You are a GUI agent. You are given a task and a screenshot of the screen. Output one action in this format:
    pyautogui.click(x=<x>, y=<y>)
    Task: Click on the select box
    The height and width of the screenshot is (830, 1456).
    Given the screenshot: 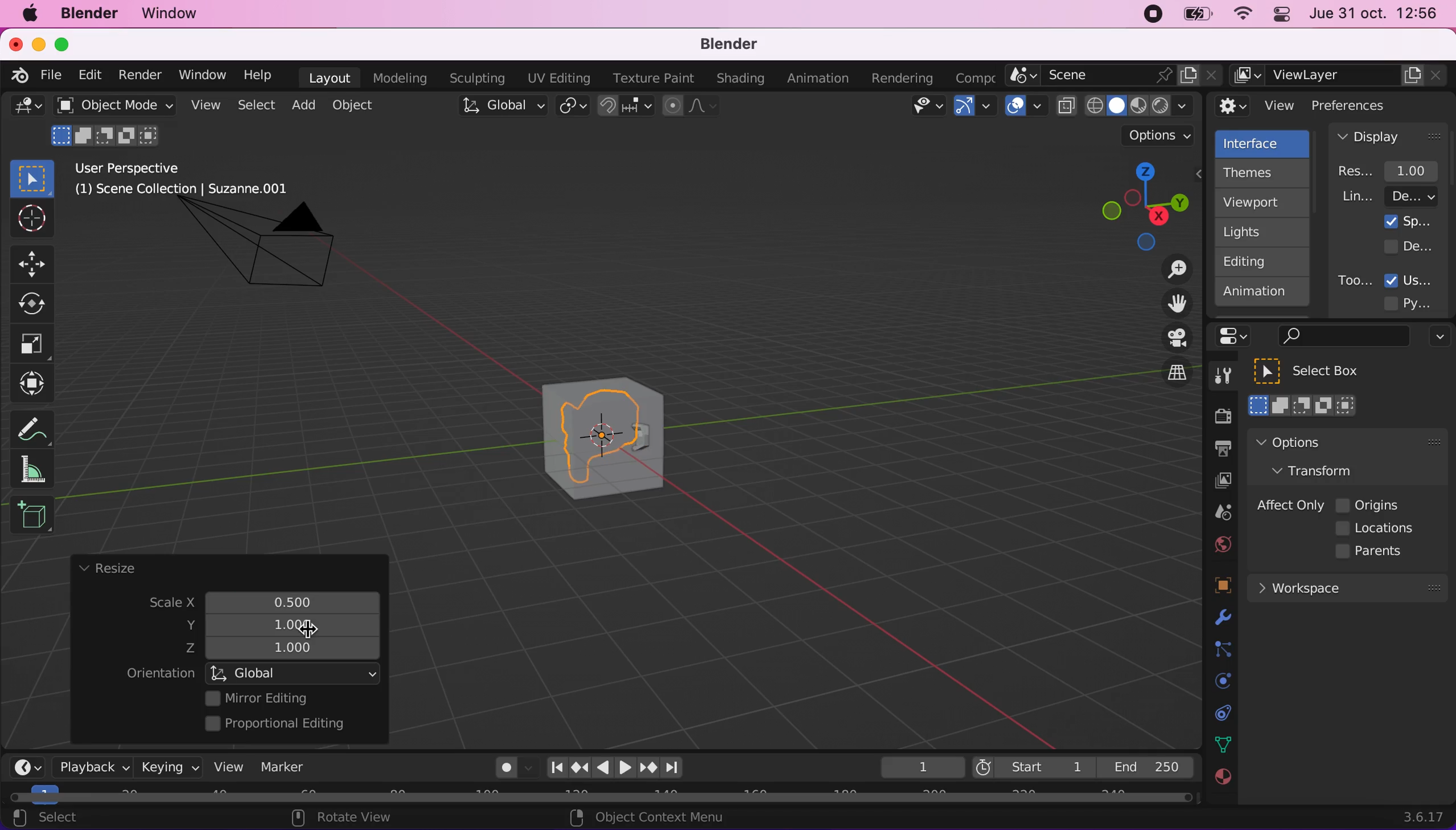 What is the action you would take?
    pyautogui.click(x=32, y=178)
    